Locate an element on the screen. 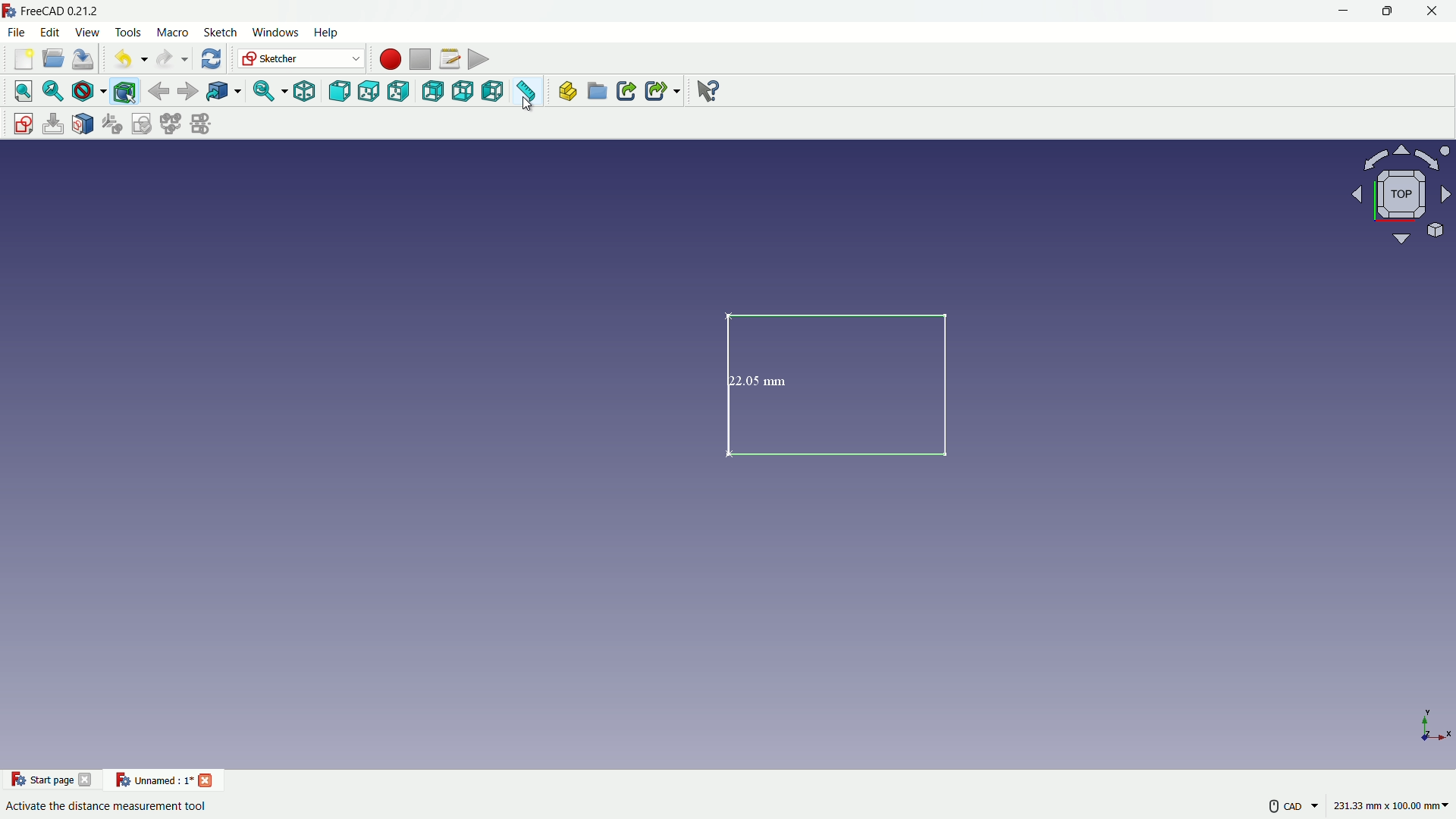  help extension is located at coordinates (709, 92).